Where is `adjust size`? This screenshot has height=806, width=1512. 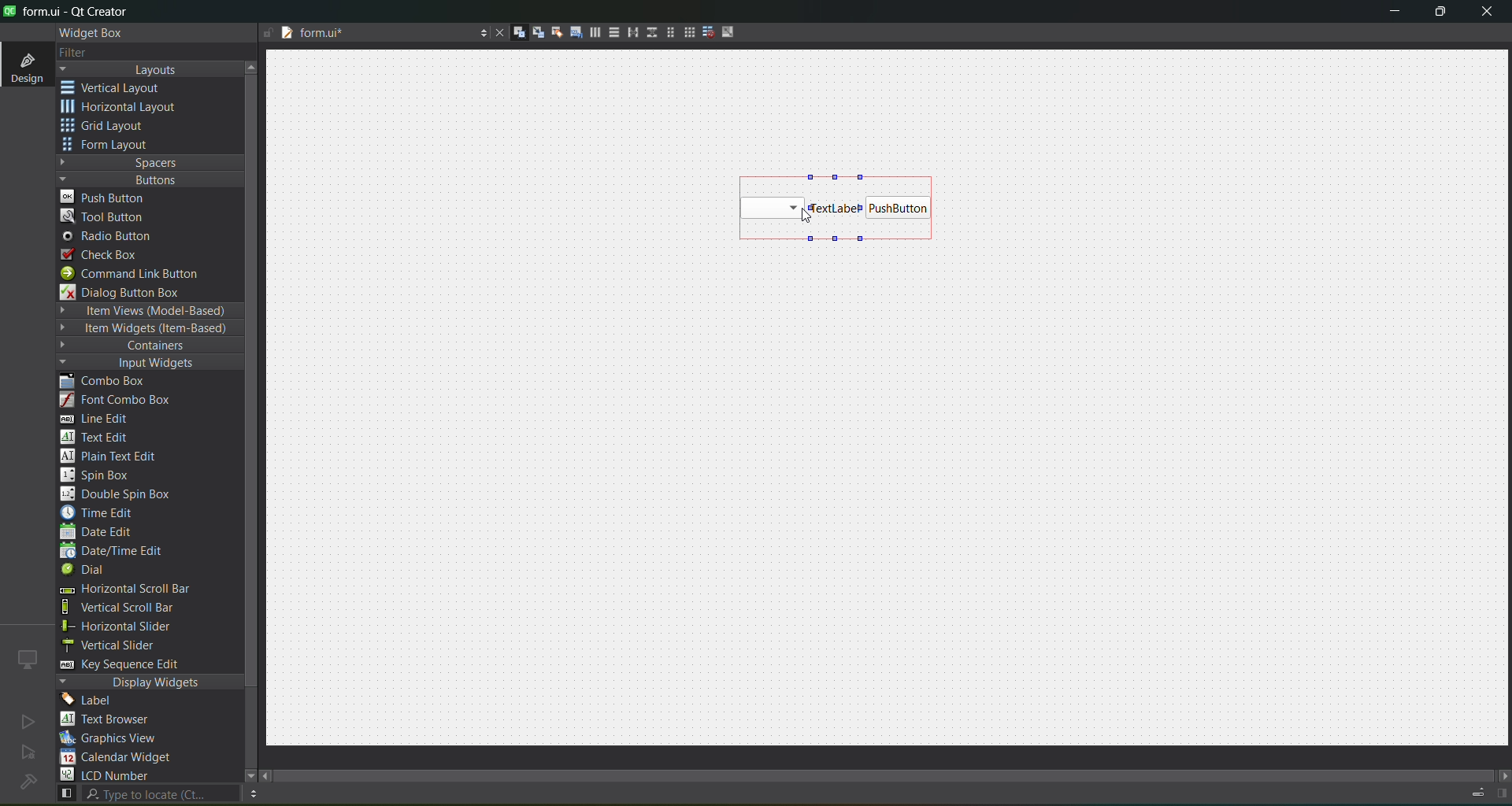 adjust size is located at coordinates (732, 31).